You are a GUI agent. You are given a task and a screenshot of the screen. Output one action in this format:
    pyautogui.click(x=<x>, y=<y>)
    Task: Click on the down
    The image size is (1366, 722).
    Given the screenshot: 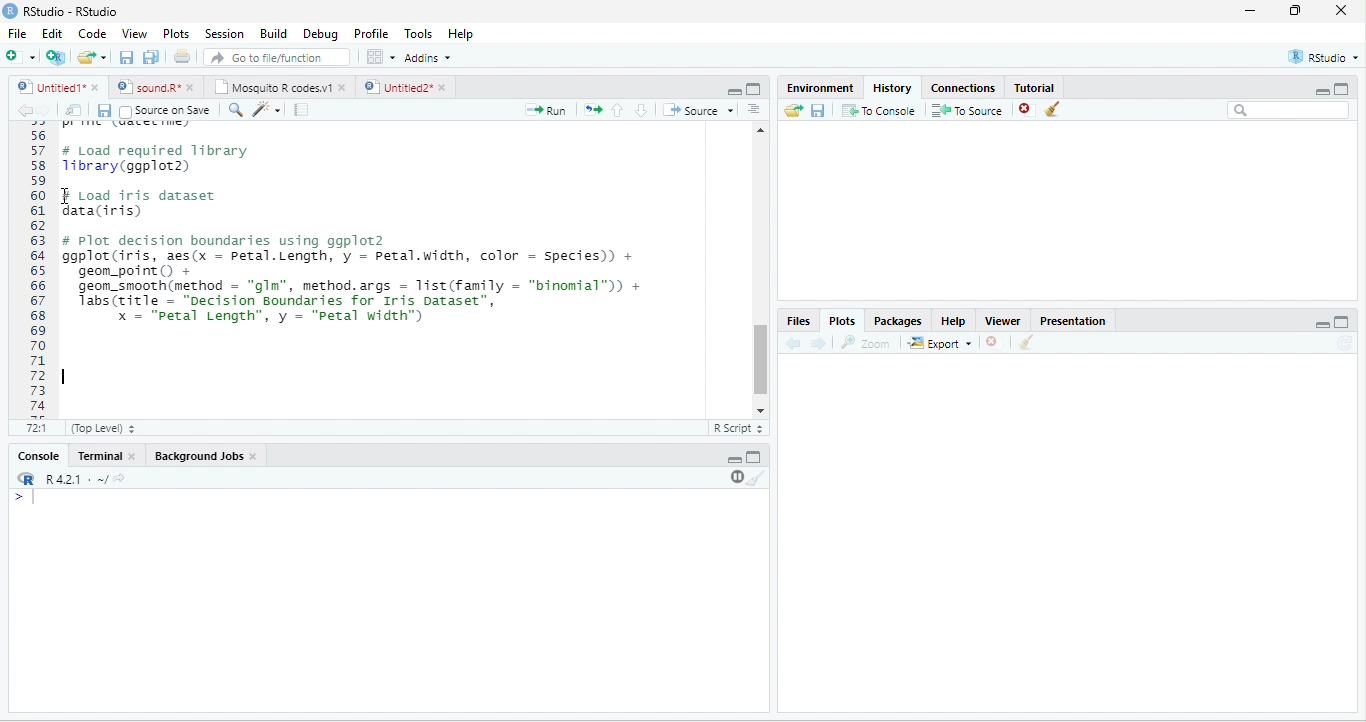 What is the action you would take?
    pyautogui.click(x=641, y=110)
    